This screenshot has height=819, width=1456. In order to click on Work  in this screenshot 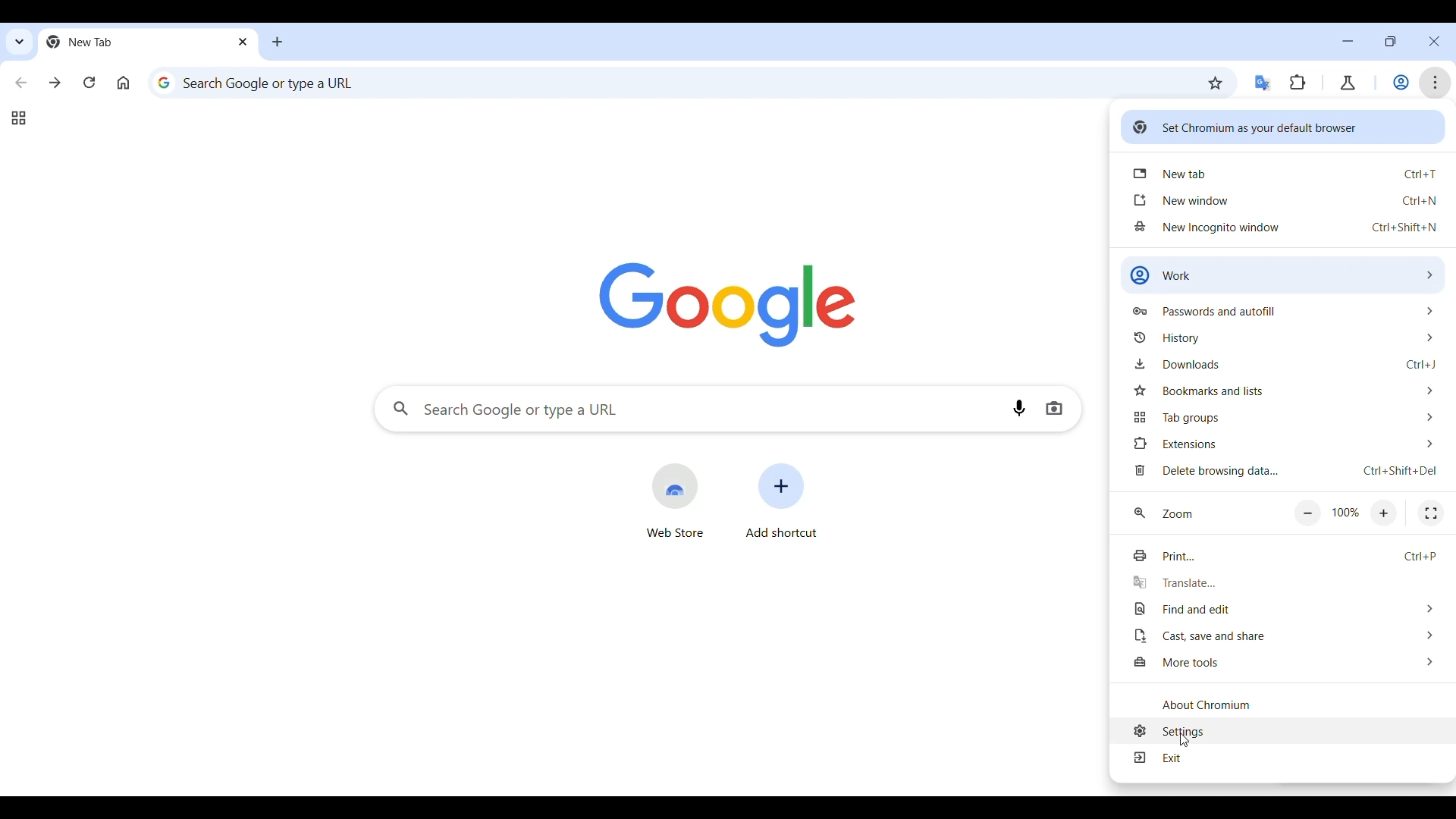, I will do `click(1282, 275)`.